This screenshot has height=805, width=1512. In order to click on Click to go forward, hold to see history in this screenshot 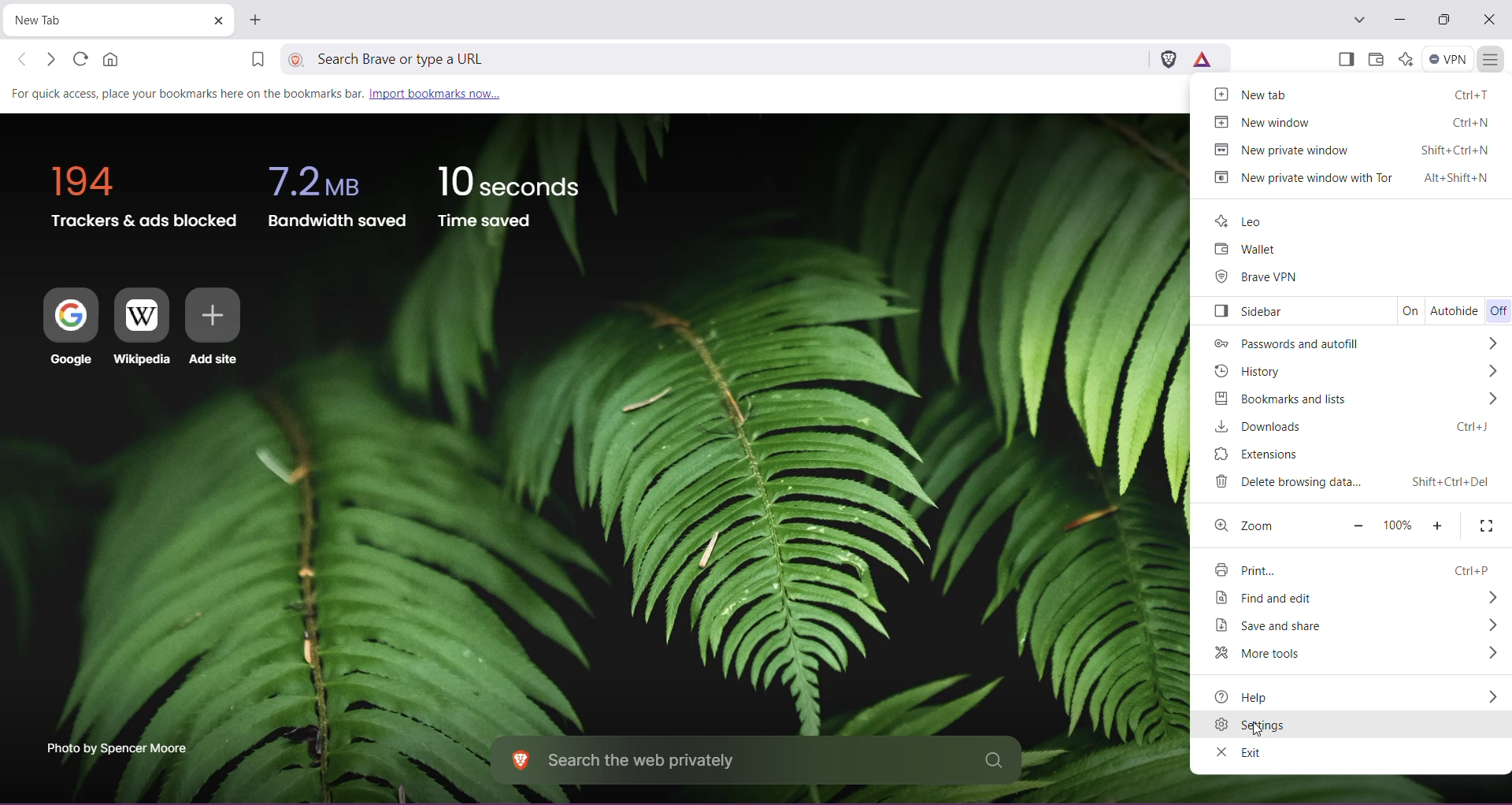, I will do `click(51, 60)`.